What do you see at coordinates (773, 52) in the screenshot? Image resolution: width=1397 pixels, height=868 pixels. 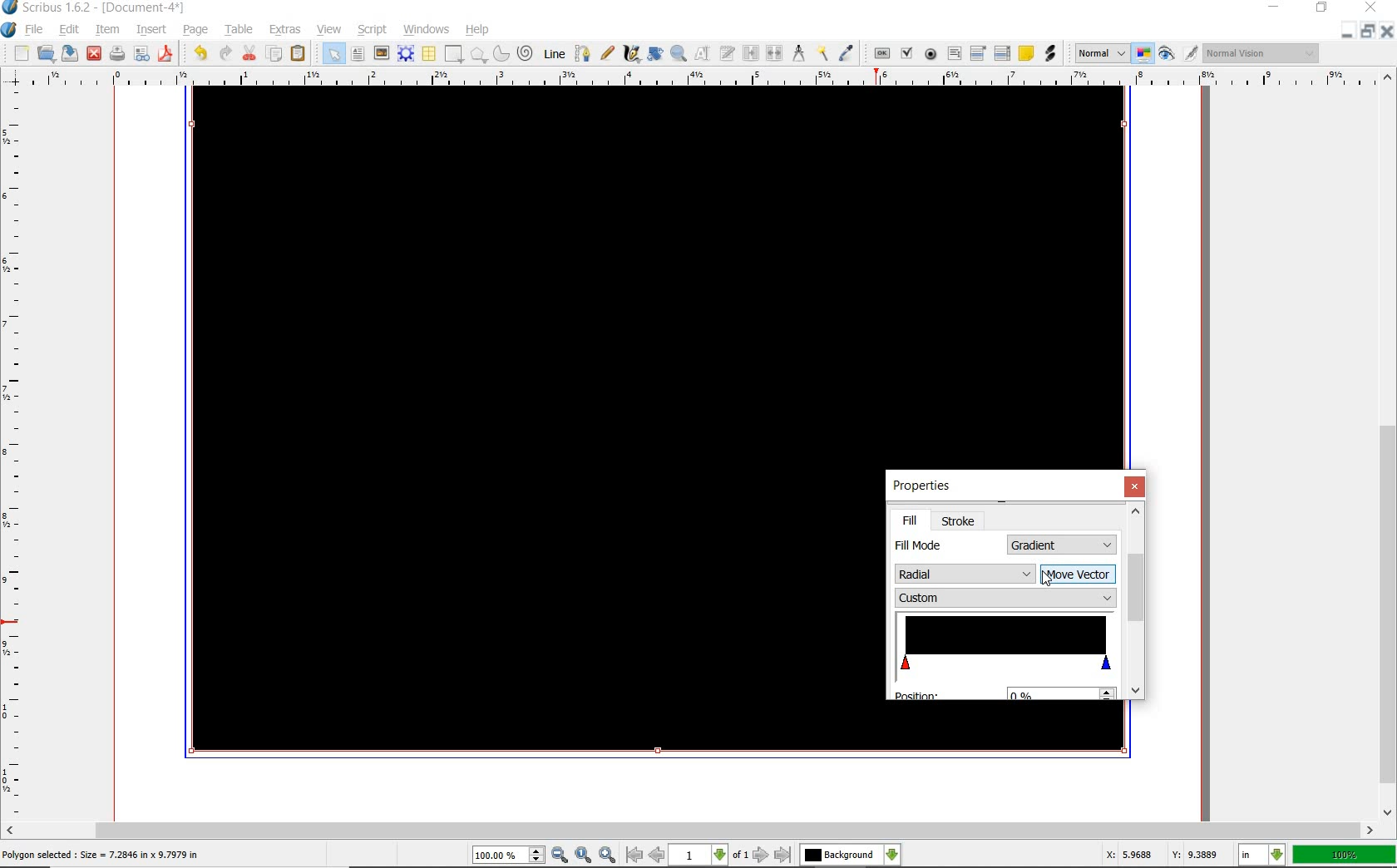 I see `unlink text frames` at bounding box center [773, 52].